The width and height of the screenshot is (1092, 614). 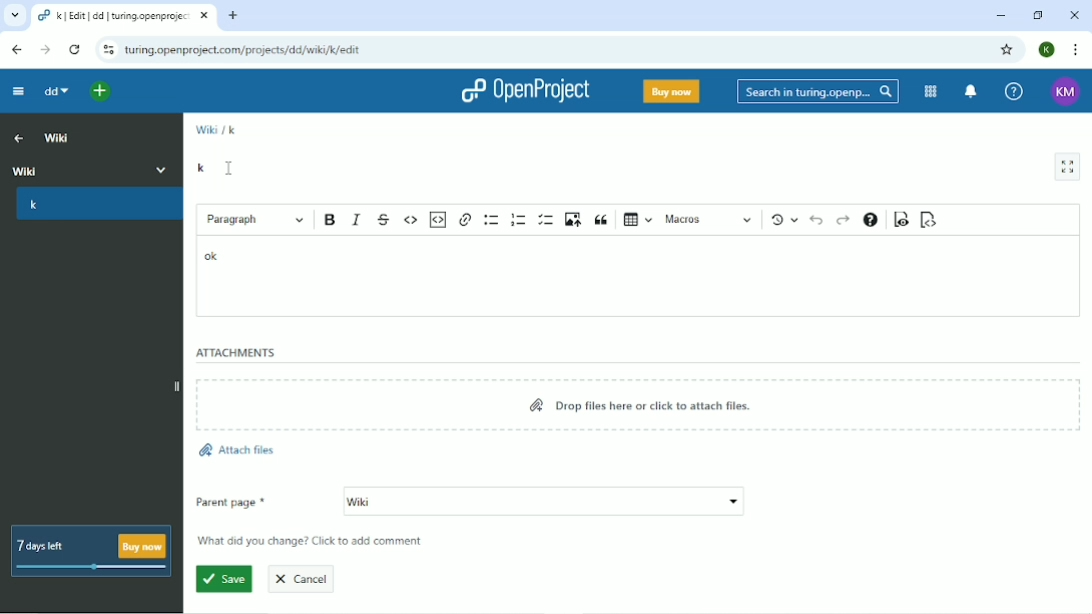 What do you see at coordinates (929, 219) in the screenshot?
I see `Switch to markdown mode` at bounding box center [929, 219].